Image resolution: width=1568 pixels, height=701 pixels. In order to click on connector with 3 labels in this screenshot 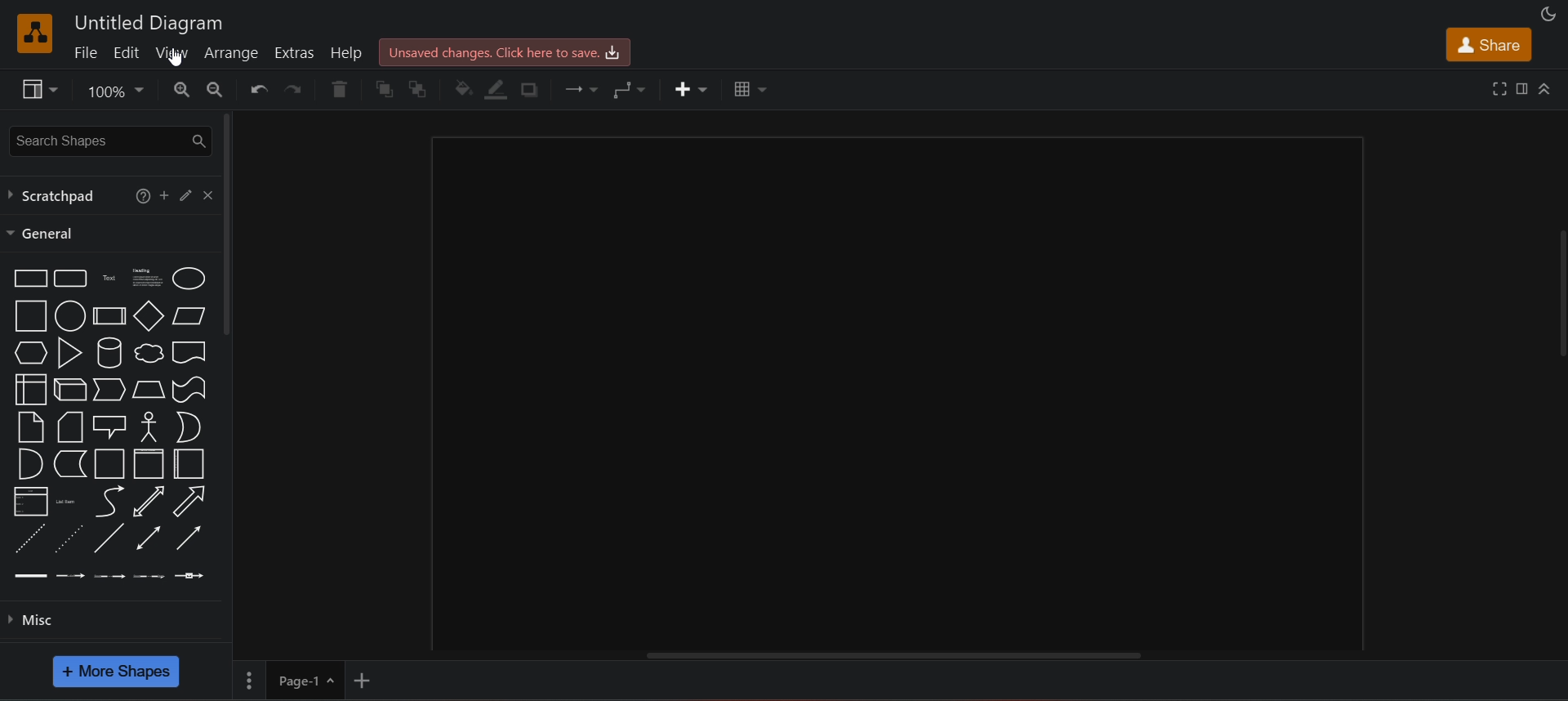, I will do `click(149, 576)`.